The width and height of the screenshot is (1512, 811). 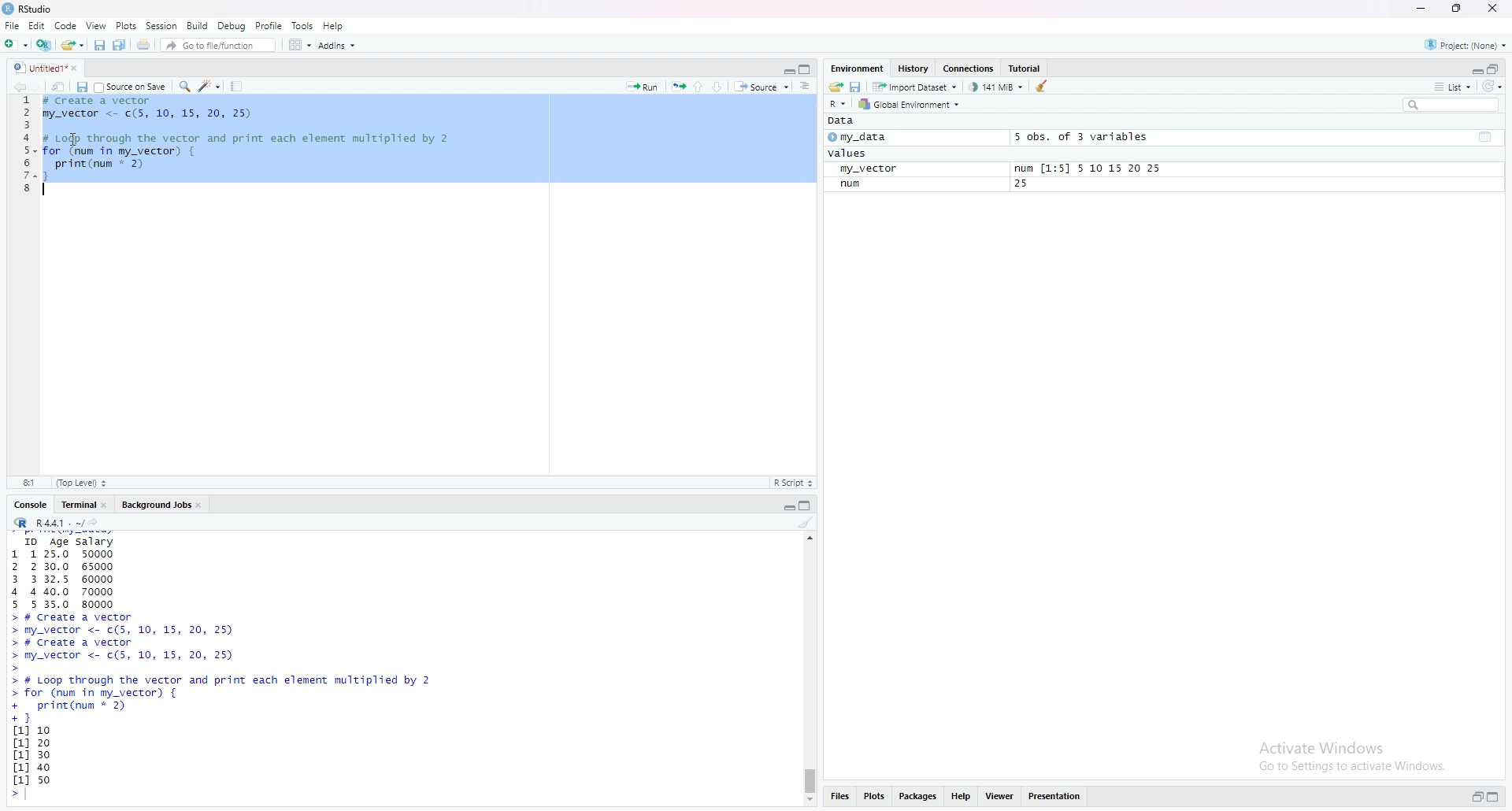 I want to click on collapse, so click(x=1488, y=137).